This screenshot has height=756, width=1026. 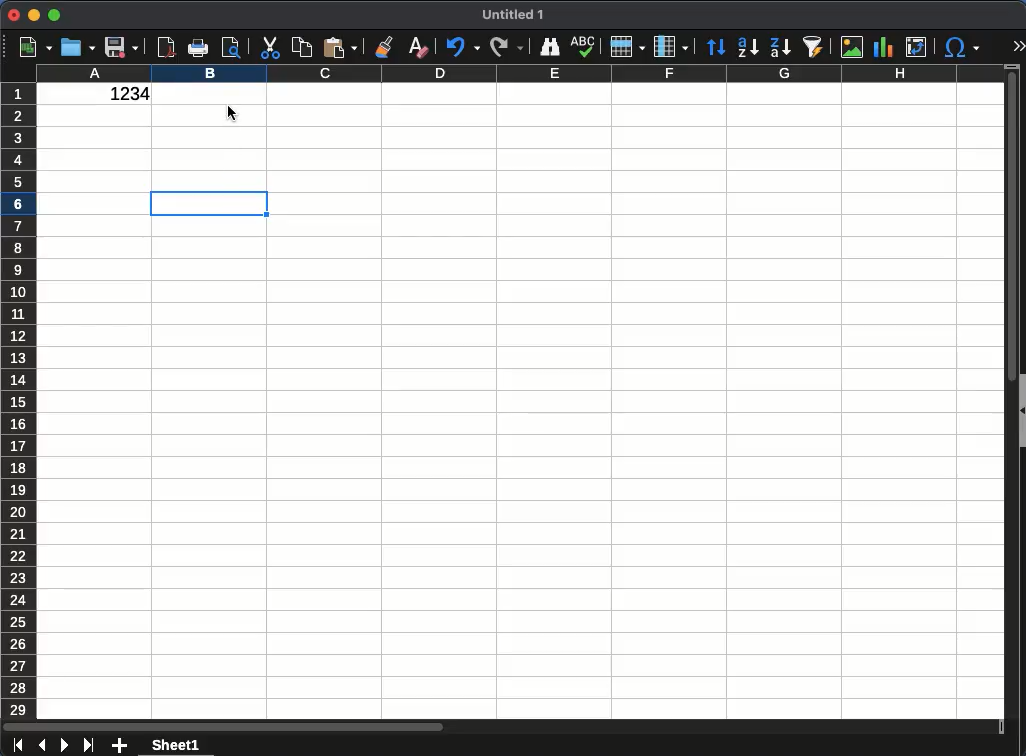 I want to click on next sheet, so click(x=63, y=746).